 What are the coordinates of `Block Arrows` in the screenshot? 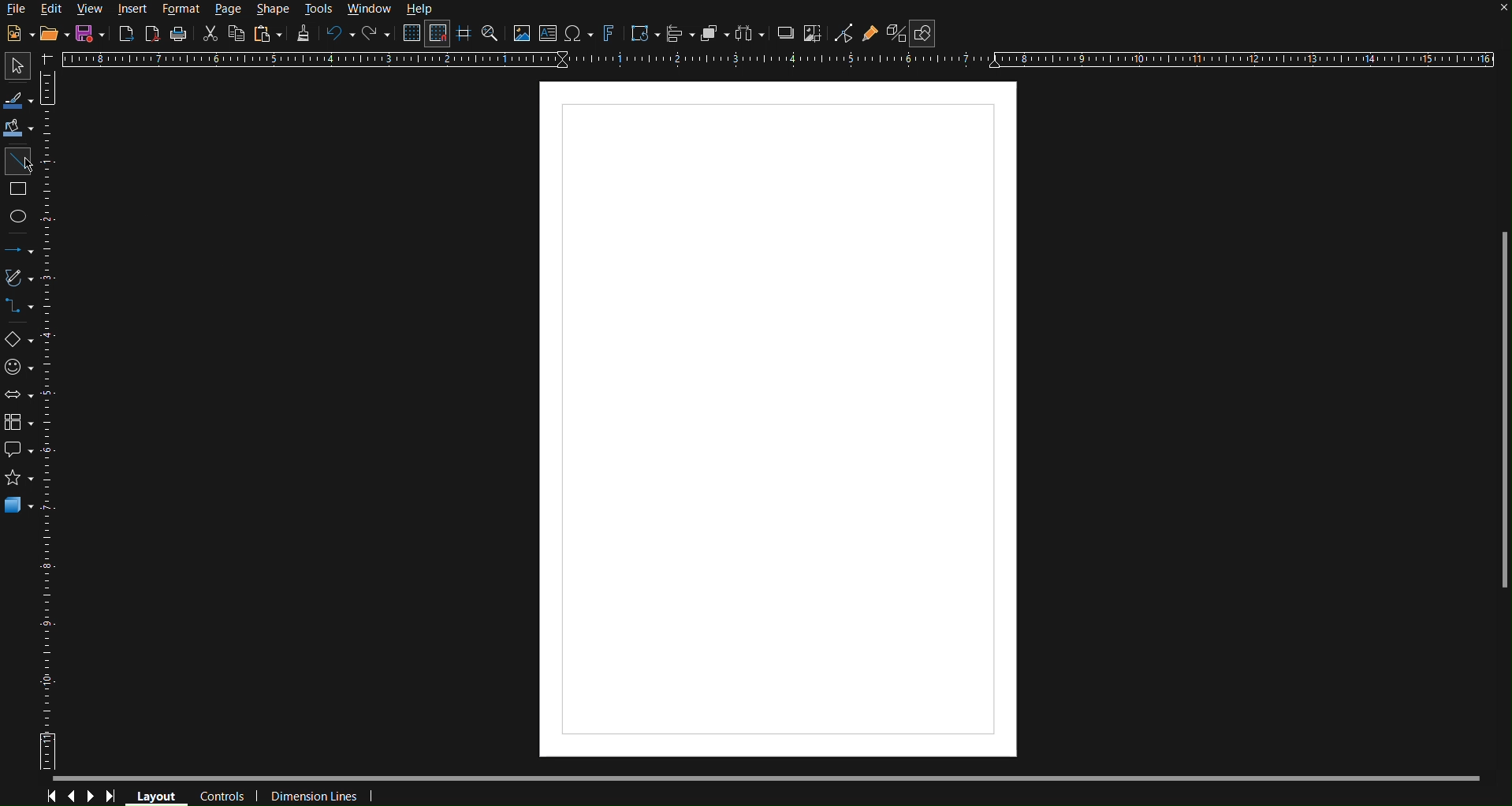 It's located at (20, 395).